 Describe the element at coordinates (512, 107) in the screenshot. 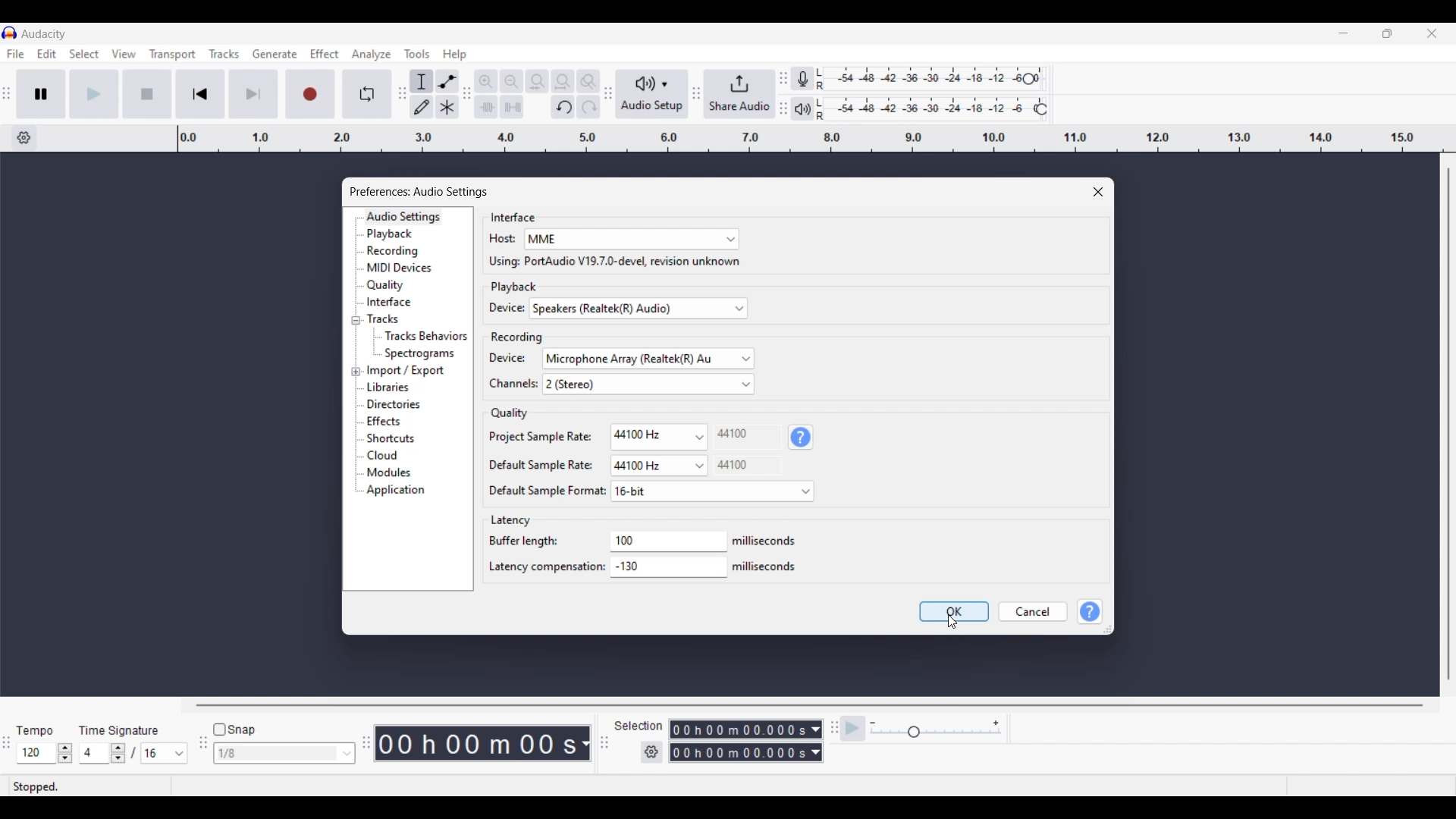

I see `Silence audio selection` at that location.